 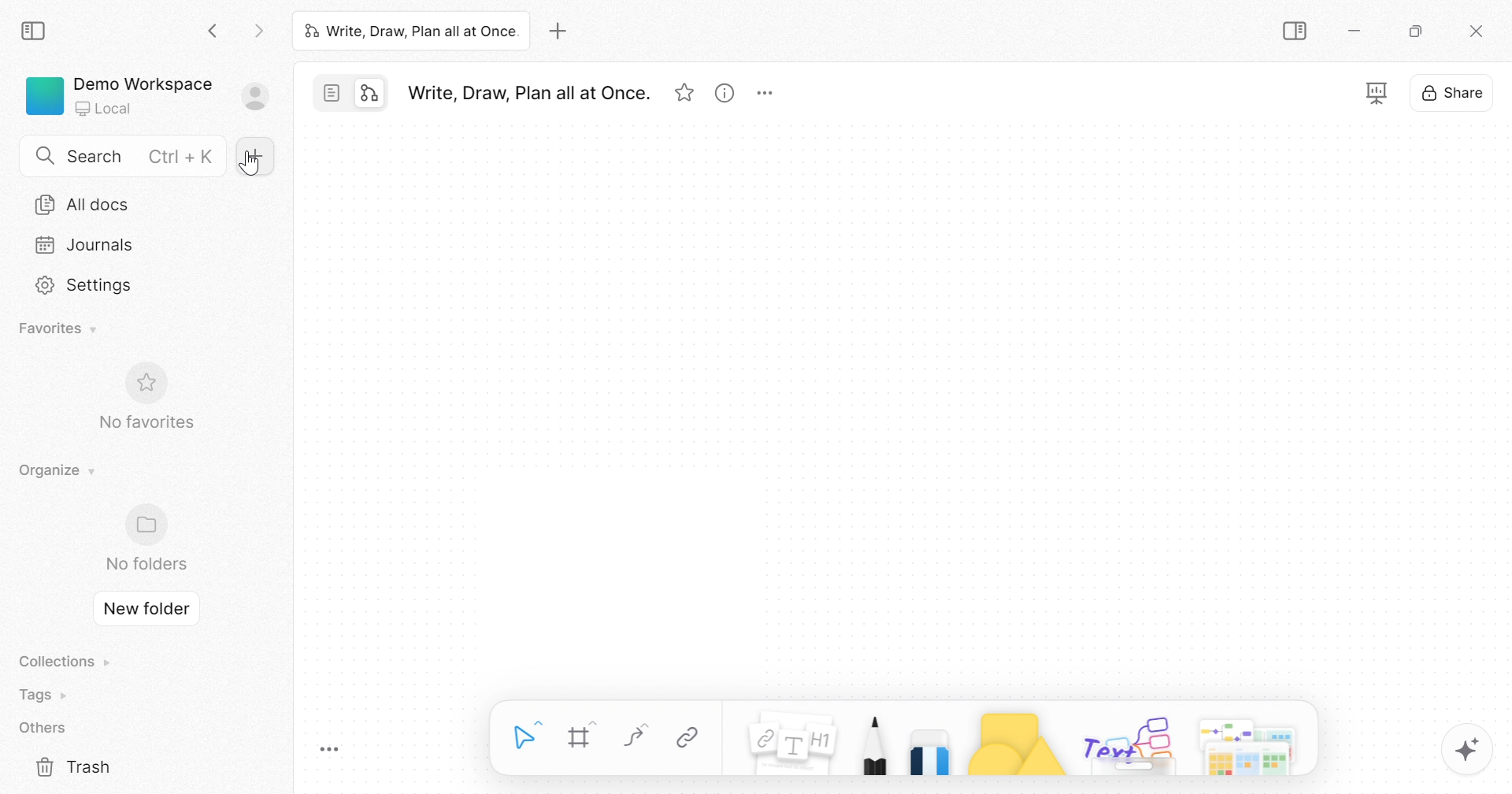 I want to click on Organize, so click(x=60, y=472).